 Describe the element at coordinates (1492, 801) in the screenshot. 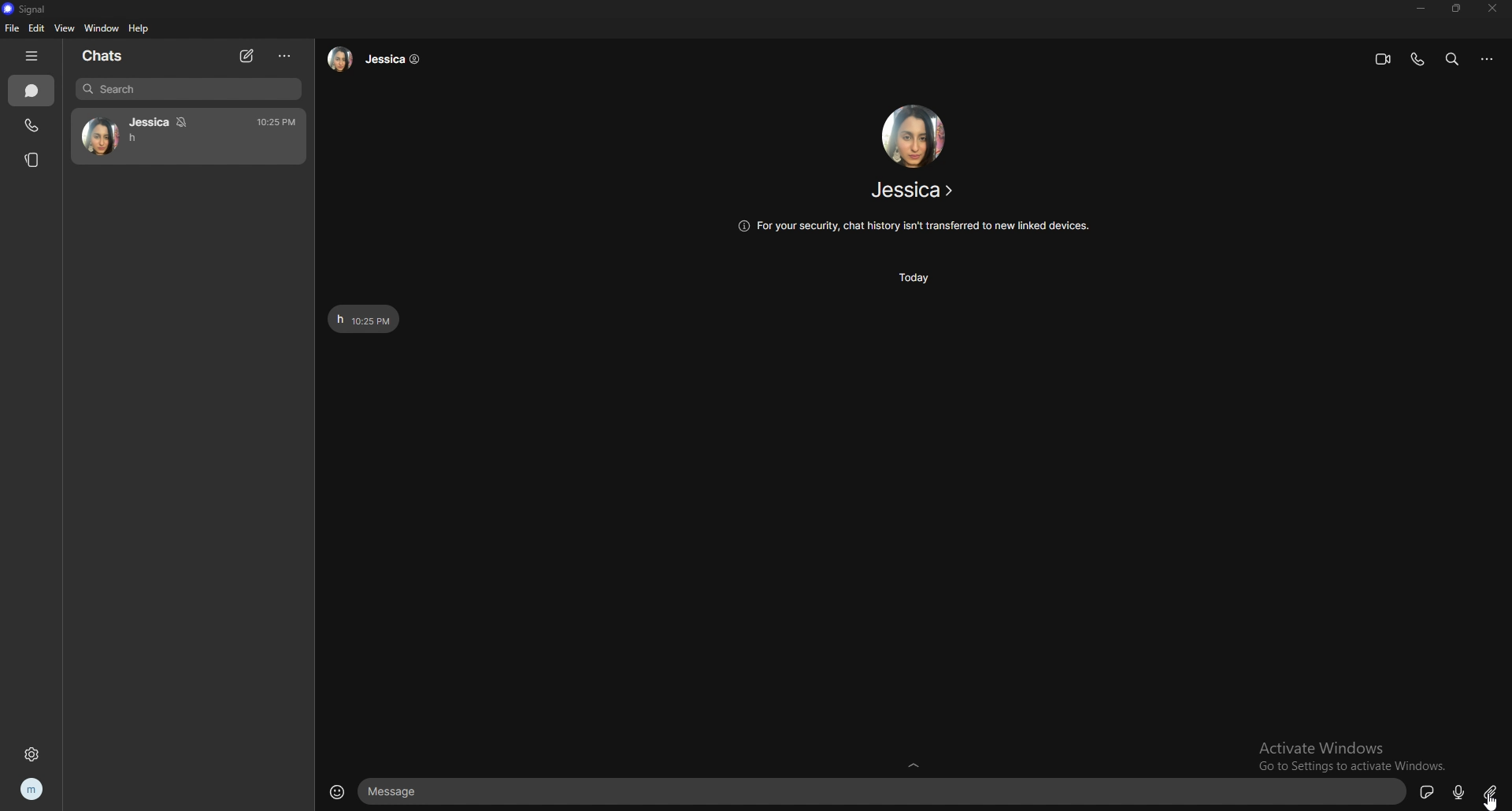

I see `cursor` at that location.